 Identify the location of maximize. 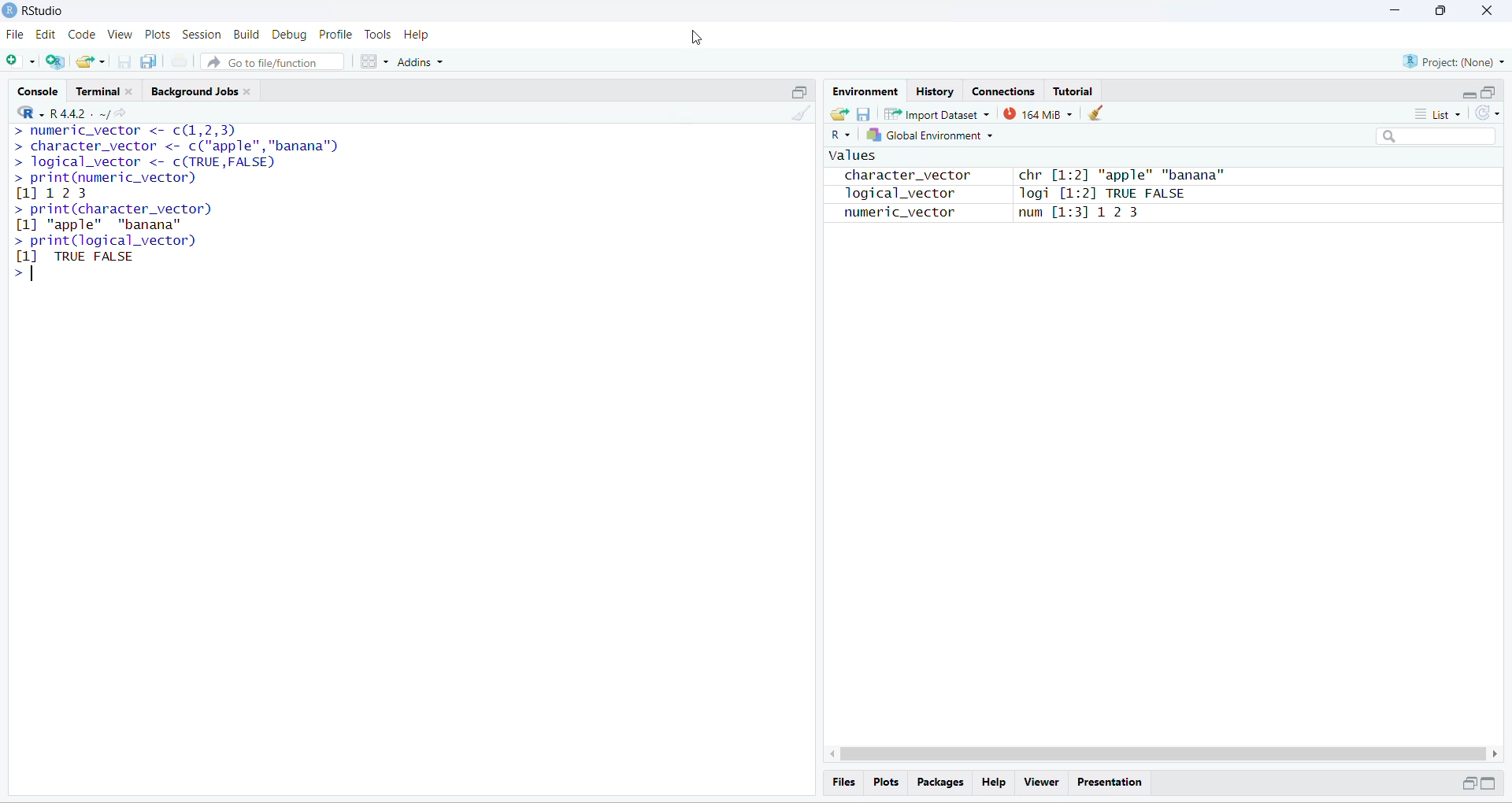
(799, 91).